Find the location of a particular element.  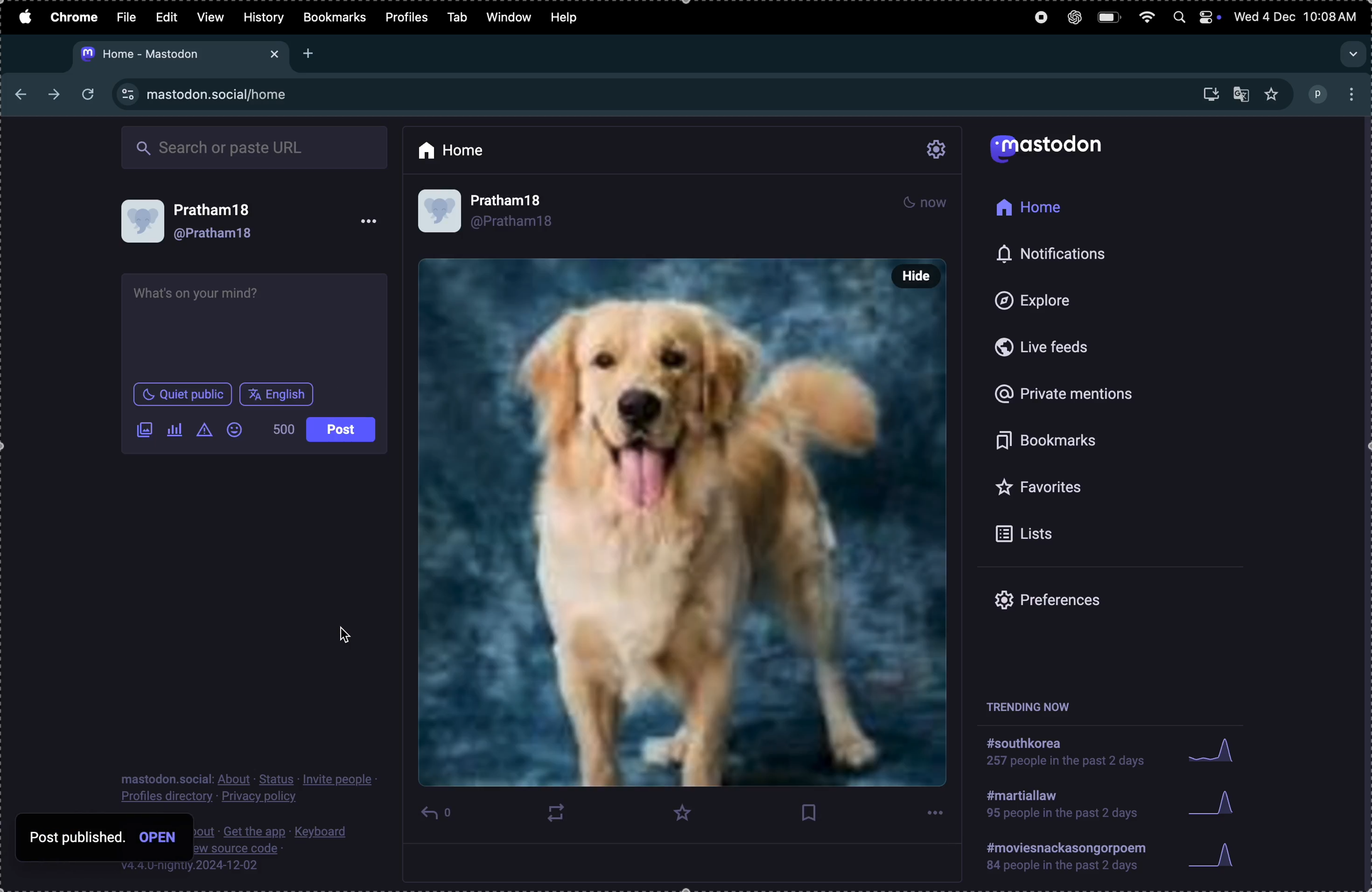

install mastdom is located at coordinates (1209, 93).